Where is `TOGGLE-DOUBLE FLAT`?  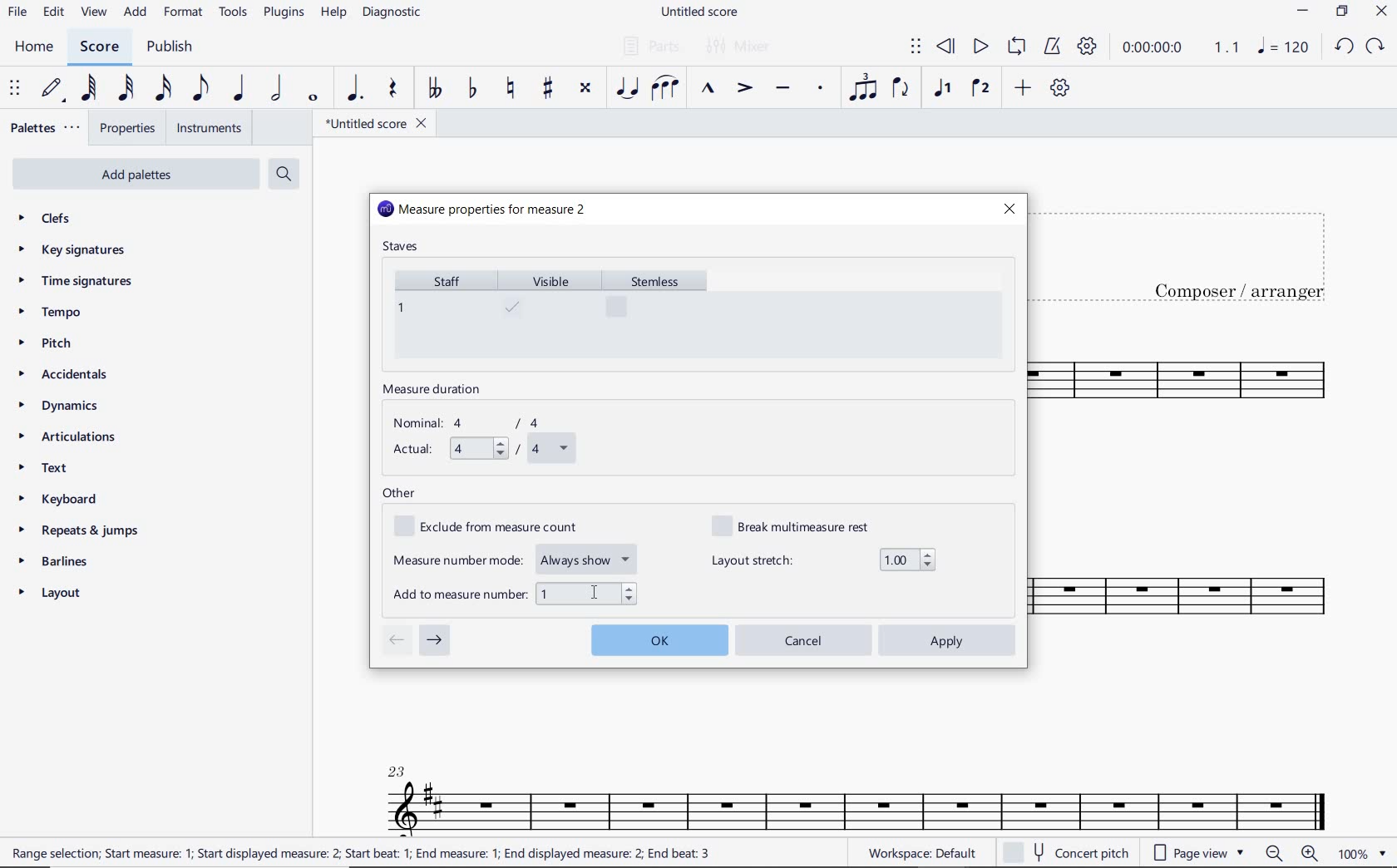 TOGGLE-DOUBLE FLAT is located at coordinates (434, 88).